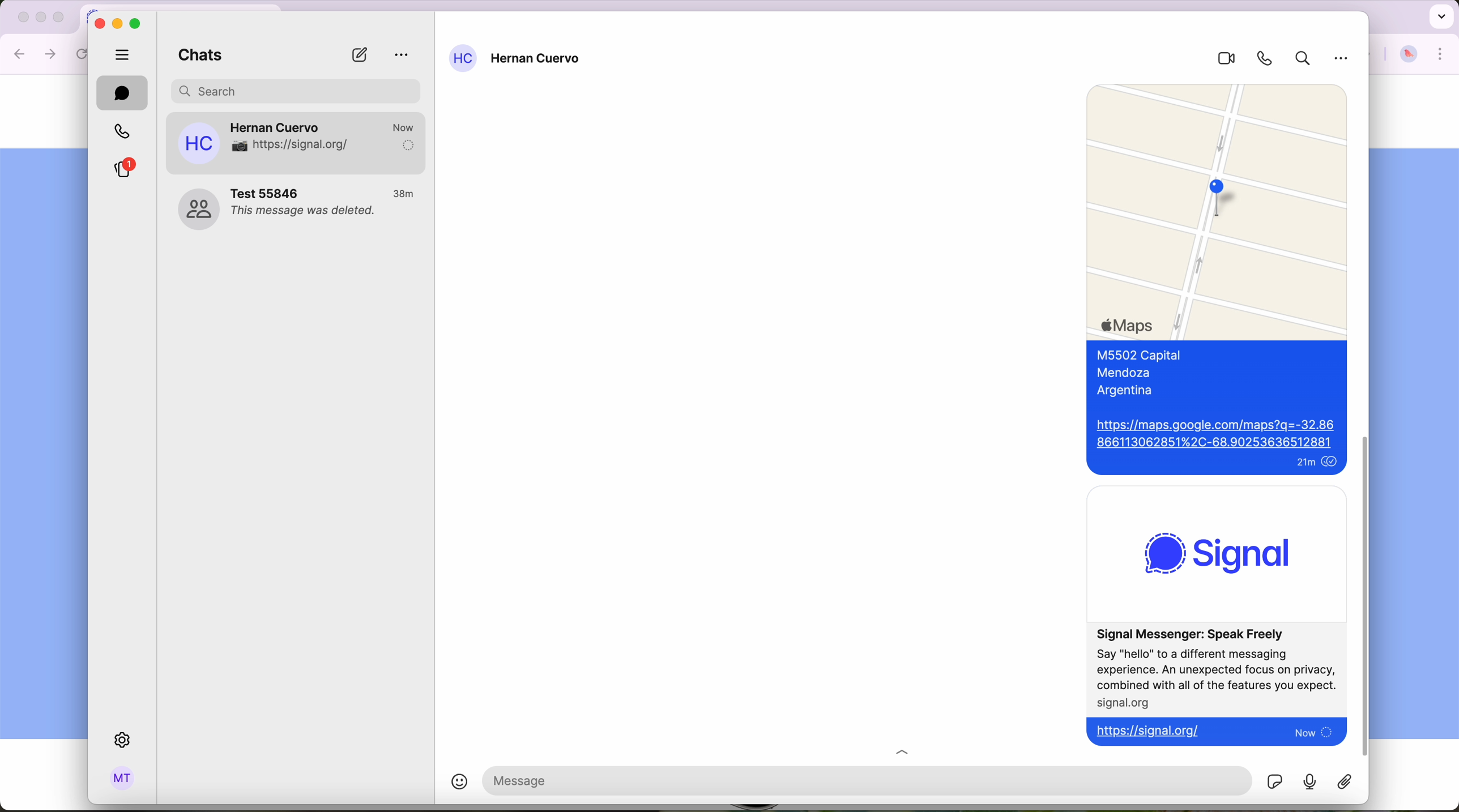 Image resolution: width=1459 pixels, height=812 pixels. What do you see at coordinates (911, 749) in the screenshot?
I see `up` at bounding box center [911, 749].